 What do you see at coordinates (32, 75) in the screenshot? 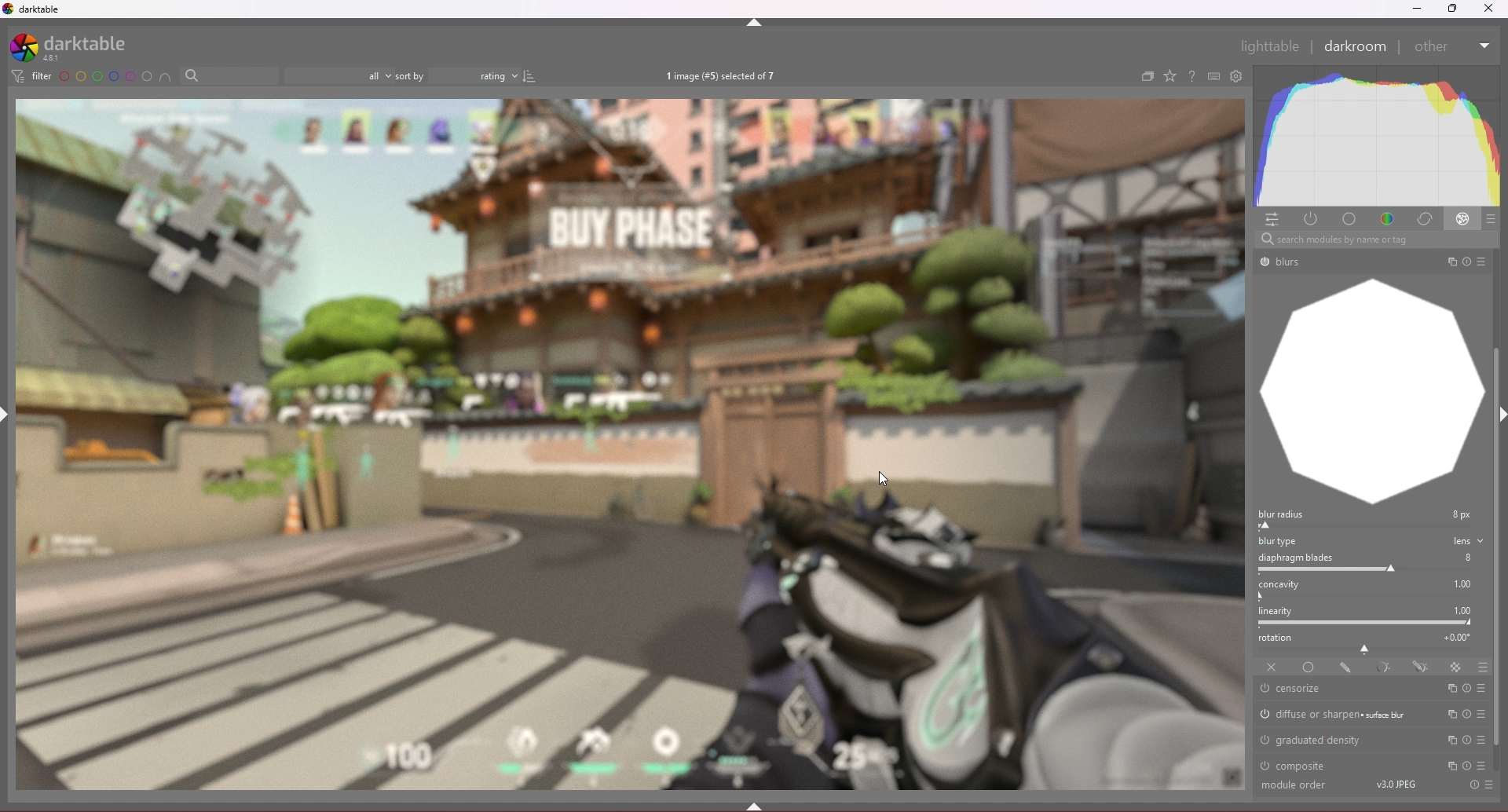
I see `filter` at bounding box center [32, 75].